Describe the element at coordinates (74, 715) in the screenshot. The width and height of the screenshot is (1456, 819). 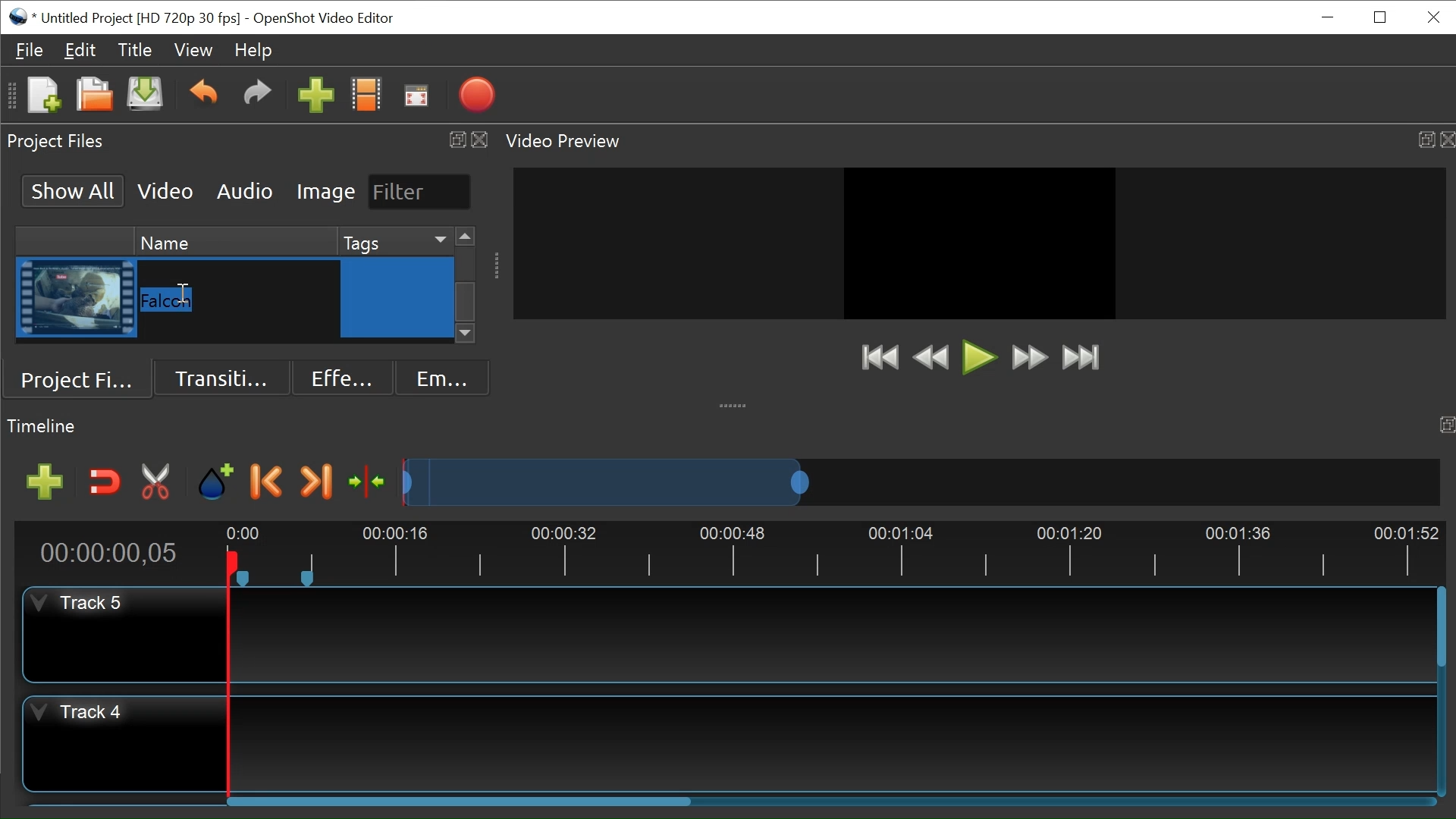
I see `Track Header` at that location.